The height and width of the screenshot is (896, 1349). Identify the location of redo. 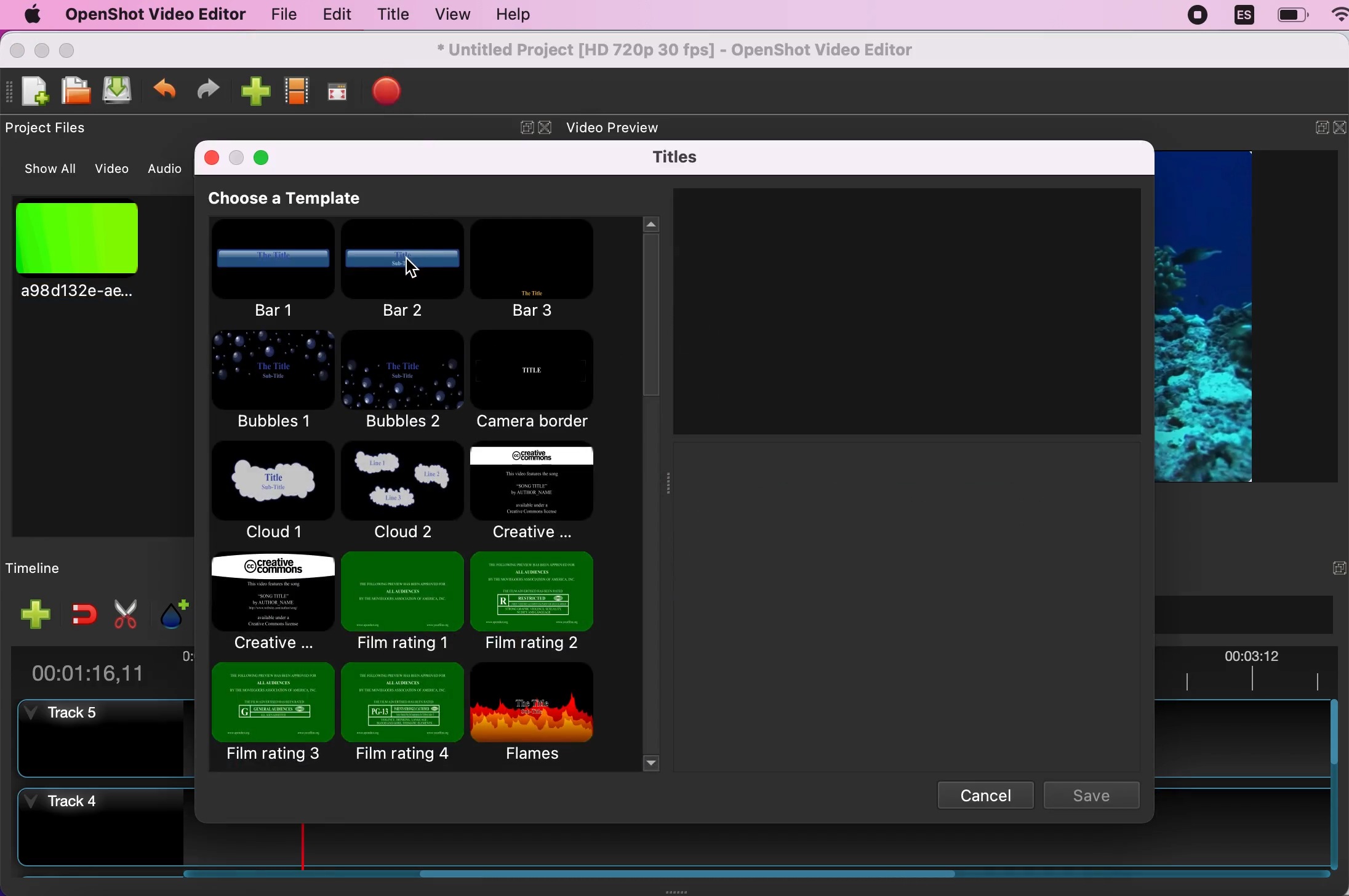
(214, 89).